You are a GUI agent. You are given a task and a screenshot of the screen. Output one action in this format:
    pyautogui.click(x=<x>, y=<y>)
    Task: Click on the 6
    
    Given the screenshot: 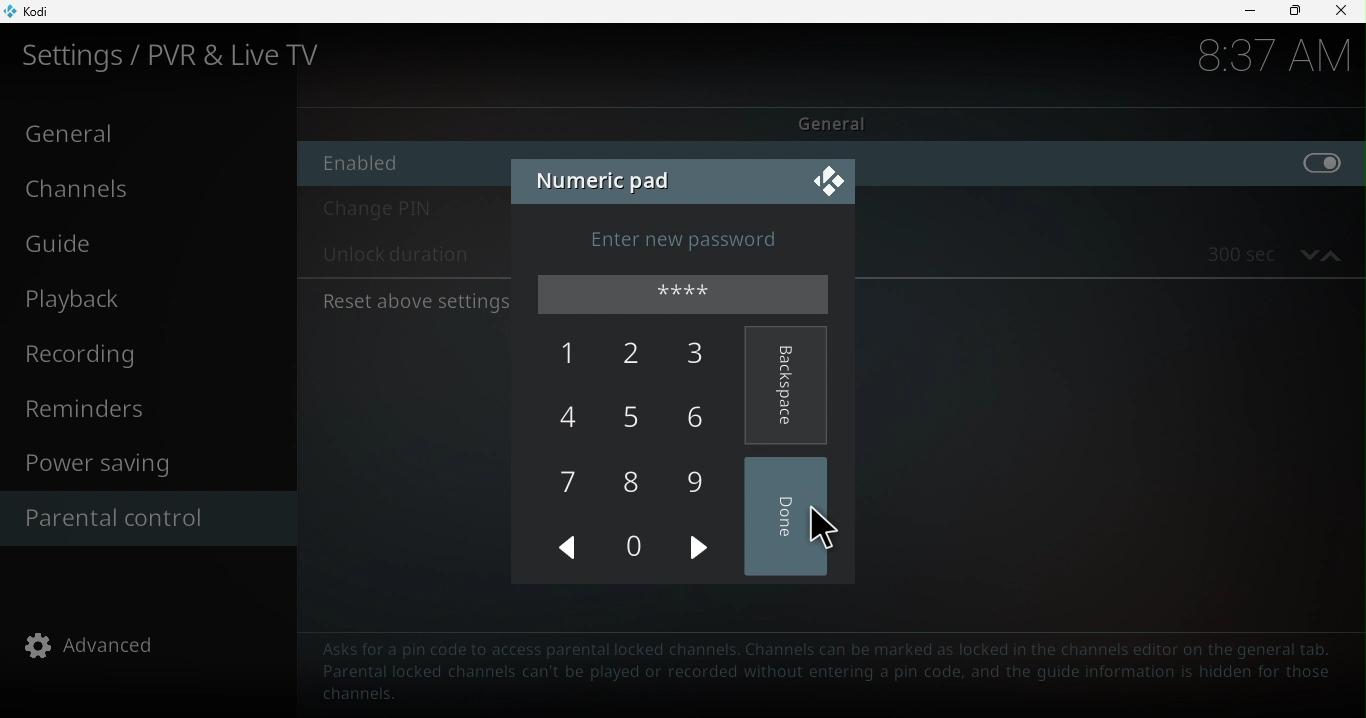 What is the action you would take?
    pyautogui.click(x=710, y=416)
    